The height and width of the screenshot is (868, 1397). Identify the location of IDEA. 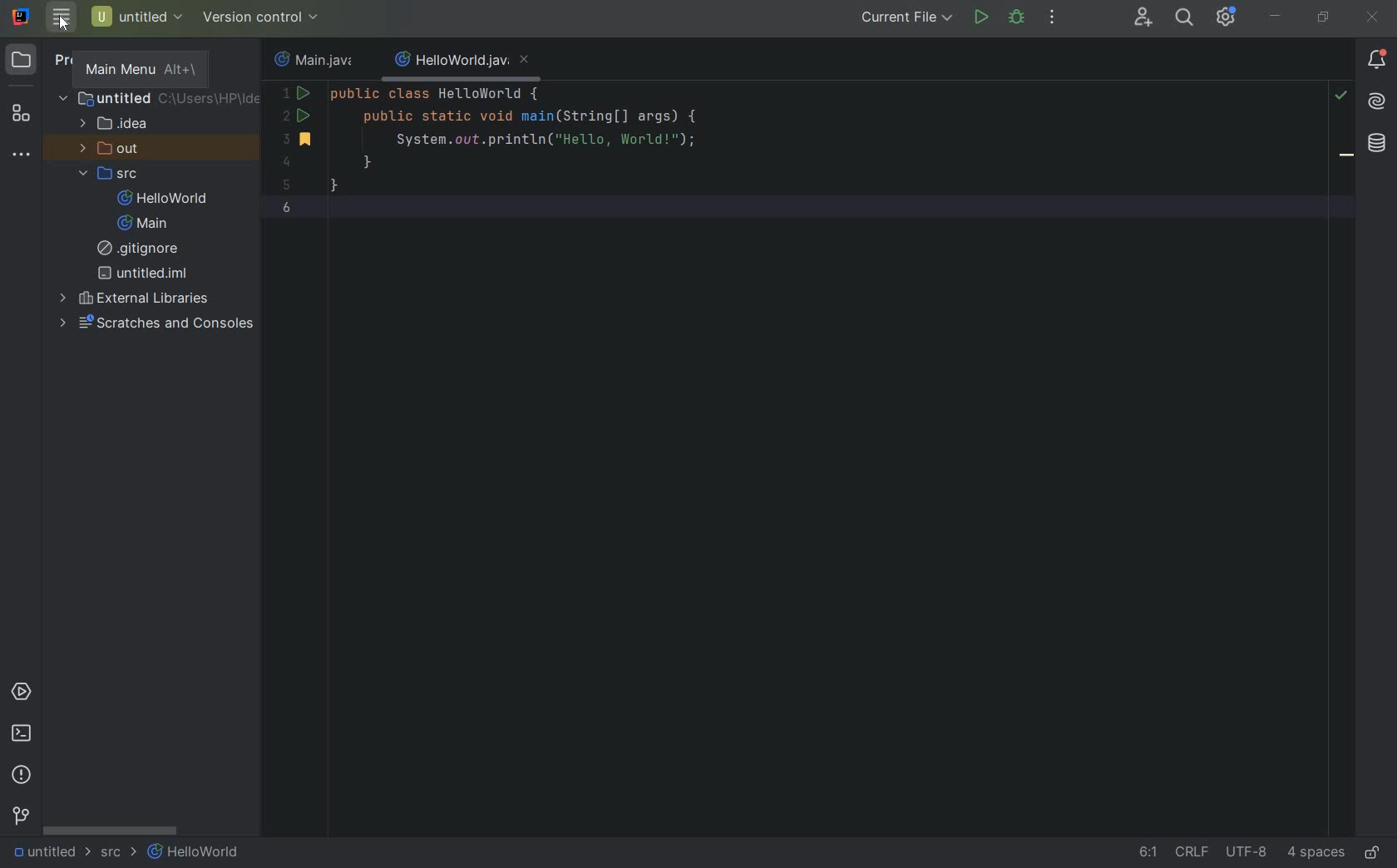
(119, 125).